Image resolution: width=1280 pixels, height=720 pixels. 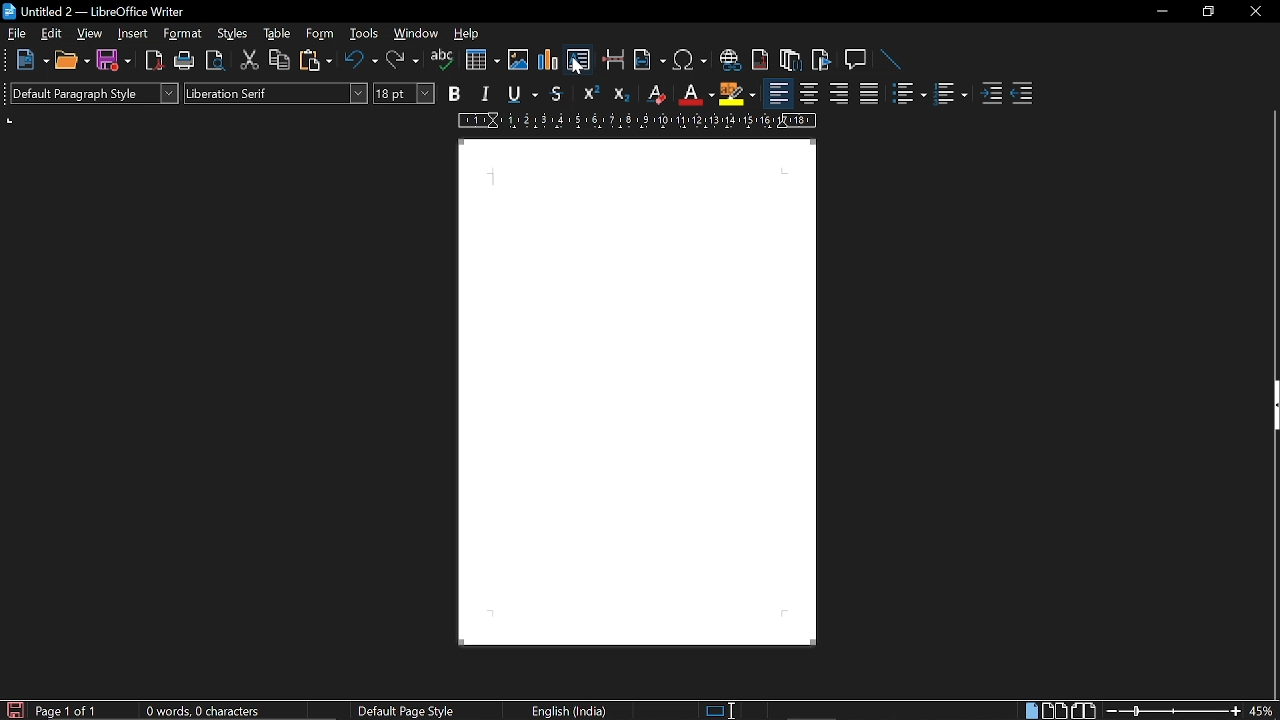 What do you see at coordinates (519, 94) in the screenshot?
I see `underline` at bounding box center [519, 94].